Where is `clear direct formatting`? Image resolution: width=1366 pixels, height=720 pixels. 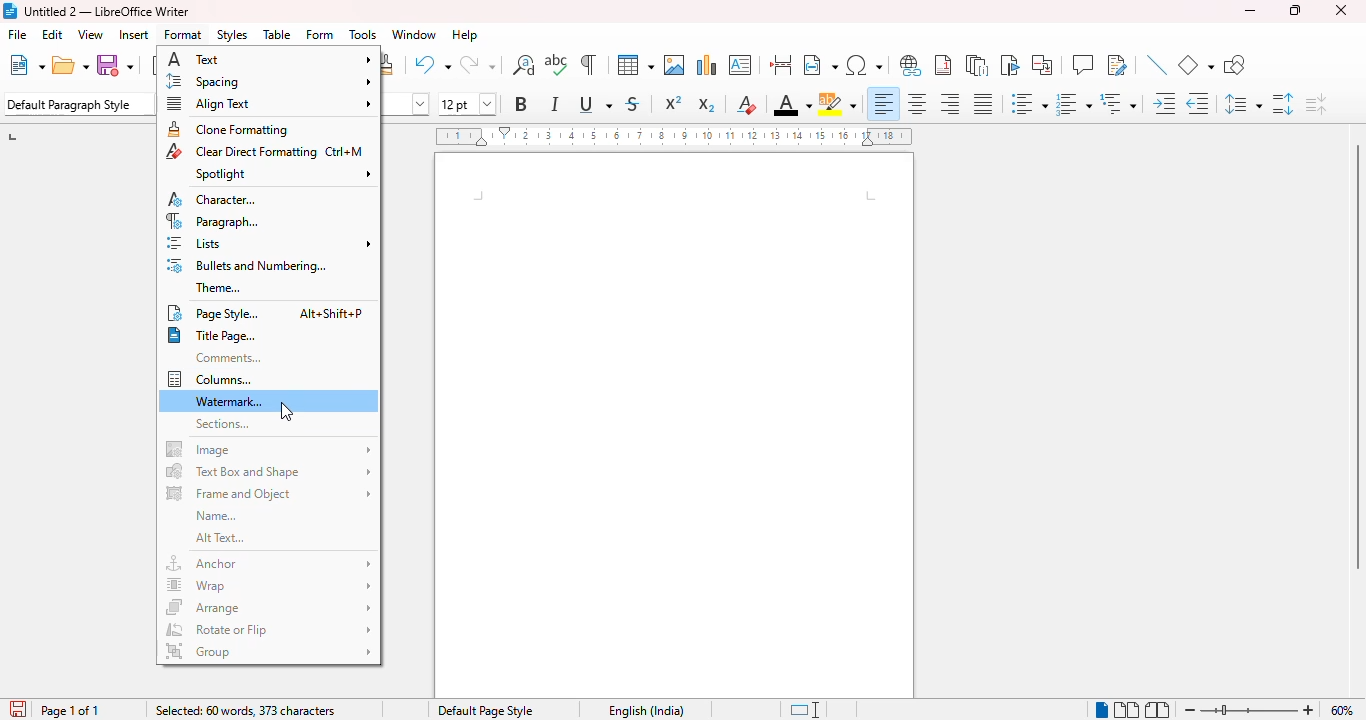
clear direct formatting is located at coordinates (746, 104).